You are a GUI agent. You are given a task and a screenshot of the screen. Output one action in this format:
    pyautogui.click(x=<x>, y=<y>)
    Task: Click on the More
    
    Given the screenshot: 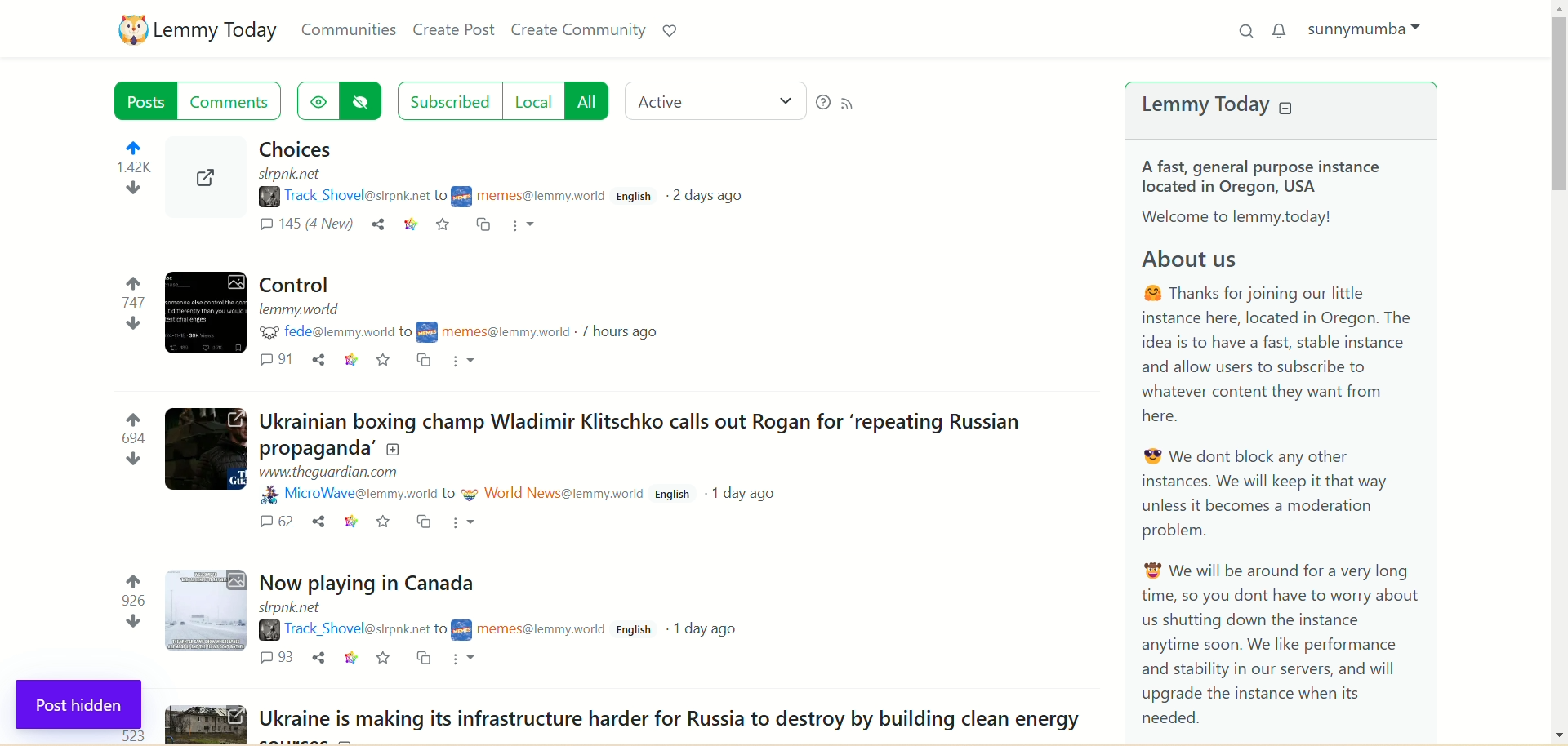 What is the action you would take?
    pyautogui.click(x=467, y=525)
    